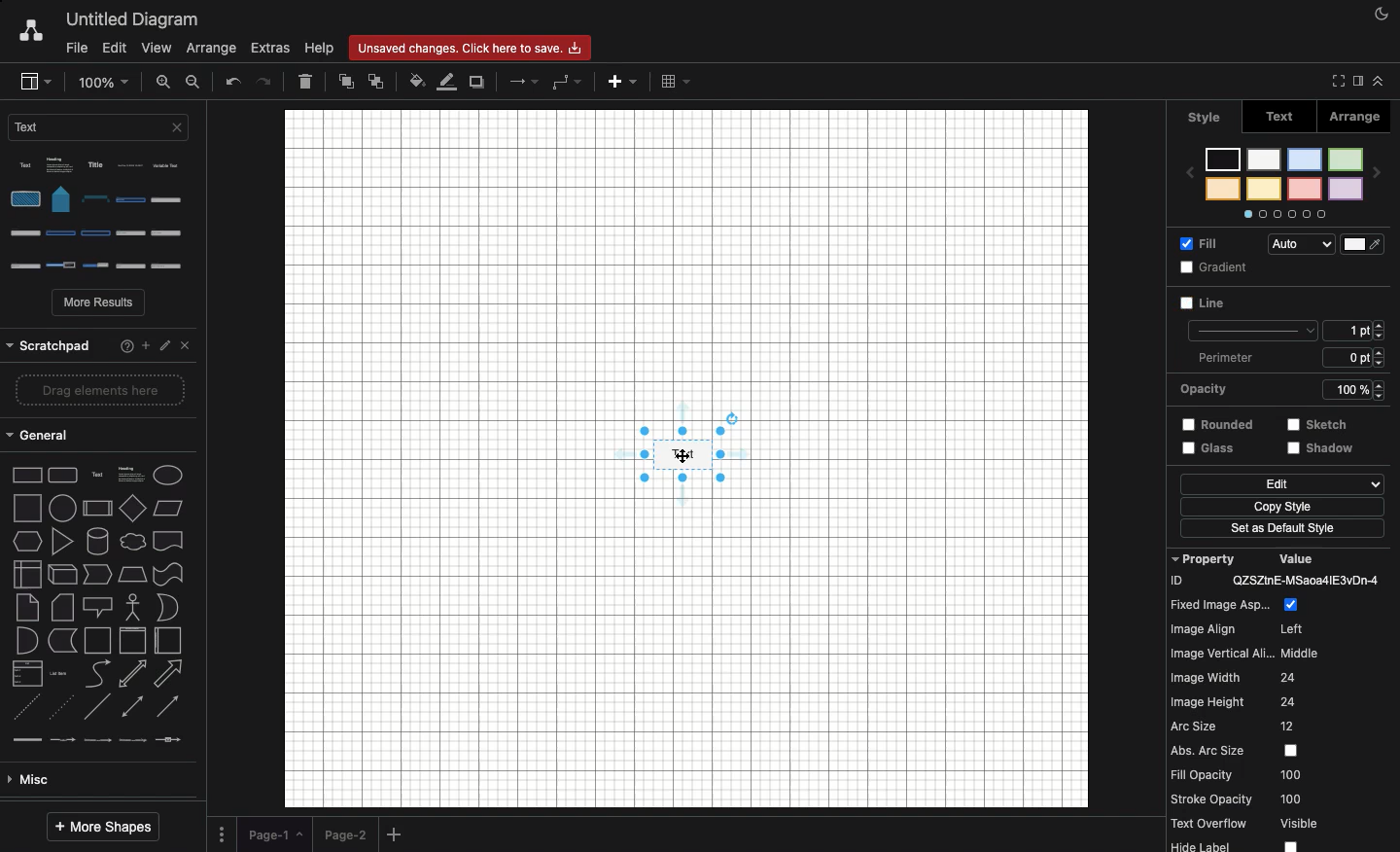 Image resolution: width=1400 pixels, height=852 pixels. What do you see at coordinates (99, 438) in the screenshot?
I see `shape` at bounding box center [99, 438].